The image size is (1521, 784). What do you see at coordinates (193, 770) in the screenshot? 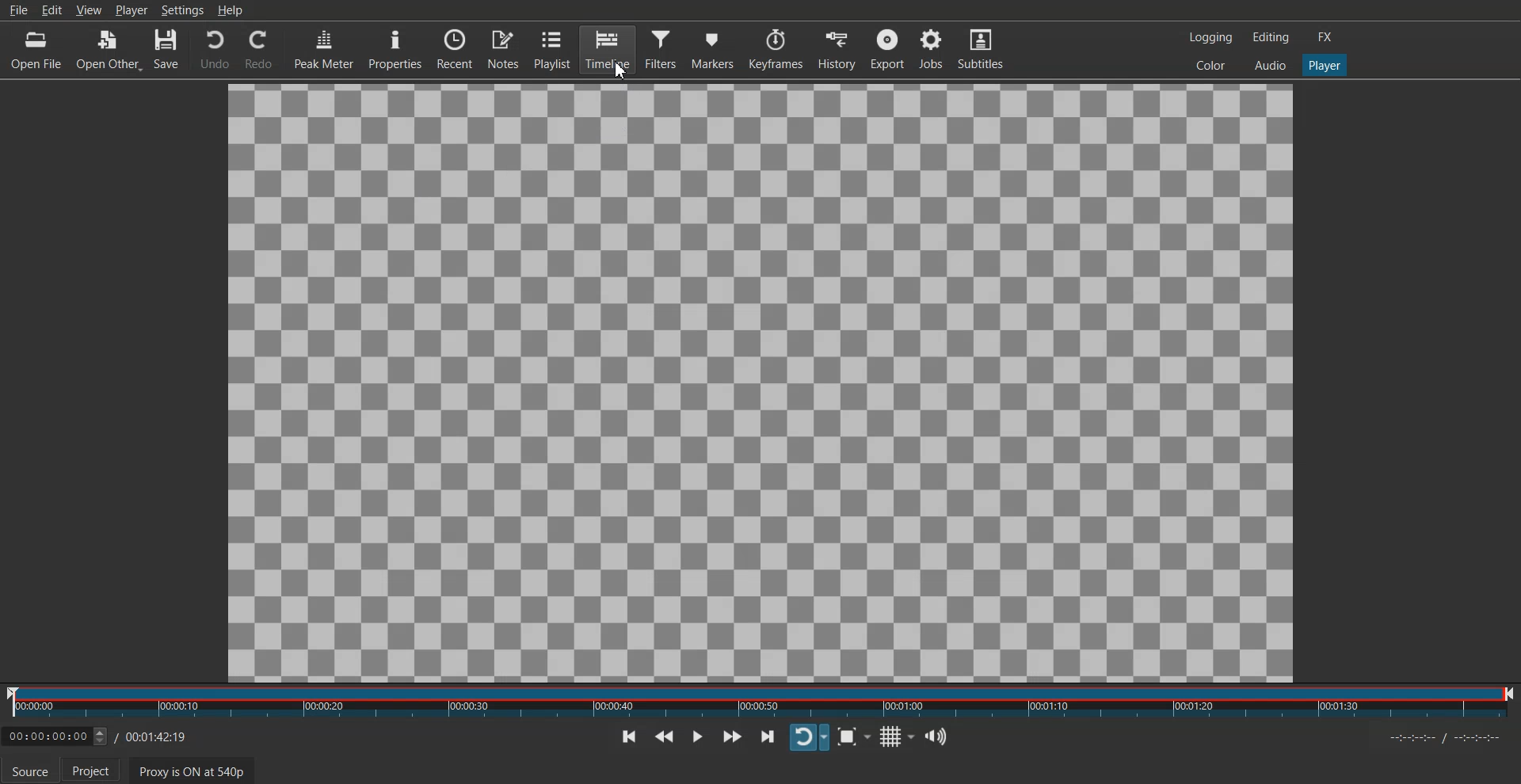
I see `Proxy is ON at 540p` at bounding box center [193, 770].